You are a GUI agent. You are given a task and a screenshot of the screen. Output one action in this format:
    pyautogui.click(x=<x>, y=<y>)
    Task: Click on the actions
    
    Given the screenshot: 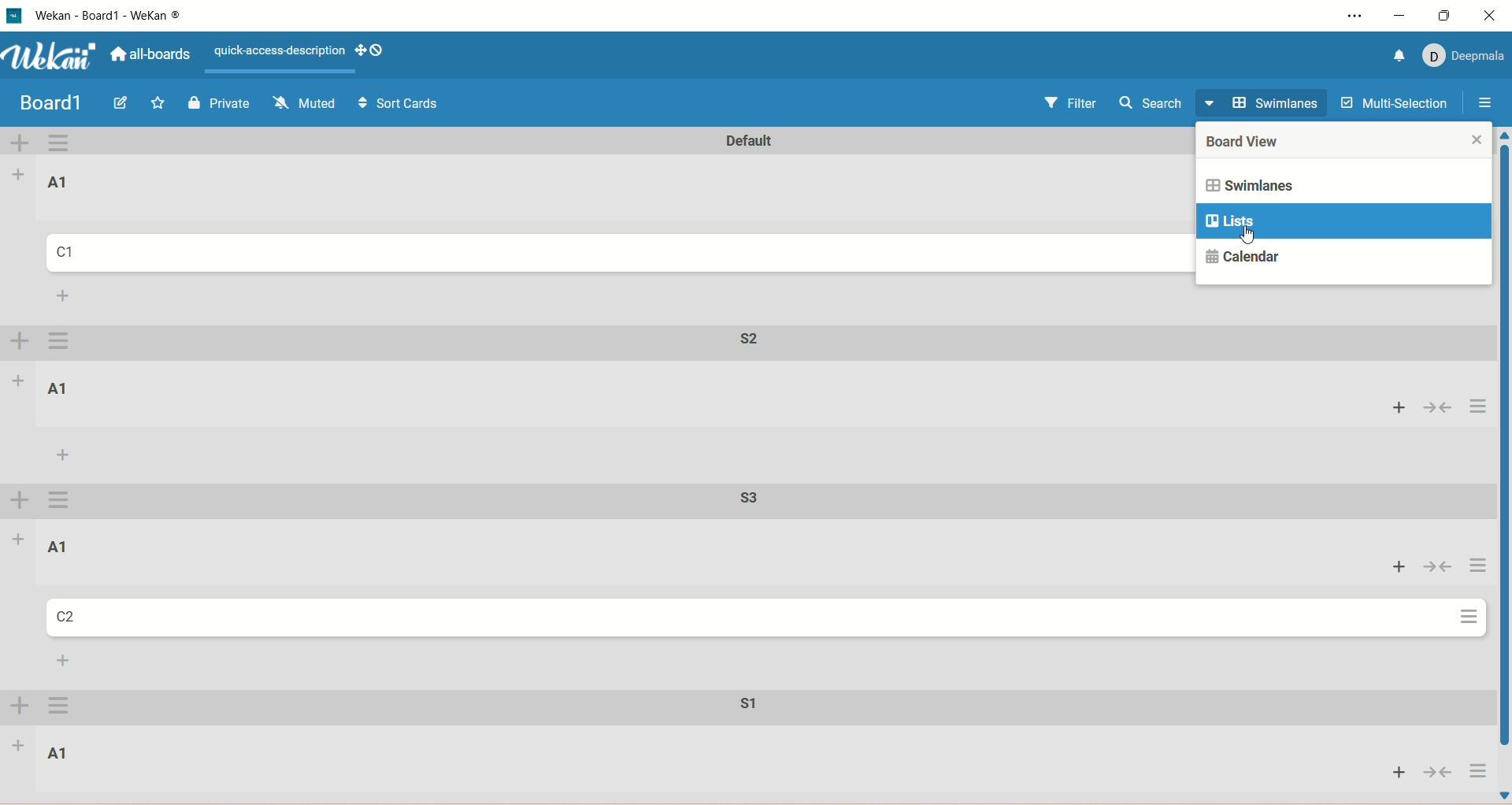 What is the action you would take?
    pyautogui.click(x=1468, y=620)
    